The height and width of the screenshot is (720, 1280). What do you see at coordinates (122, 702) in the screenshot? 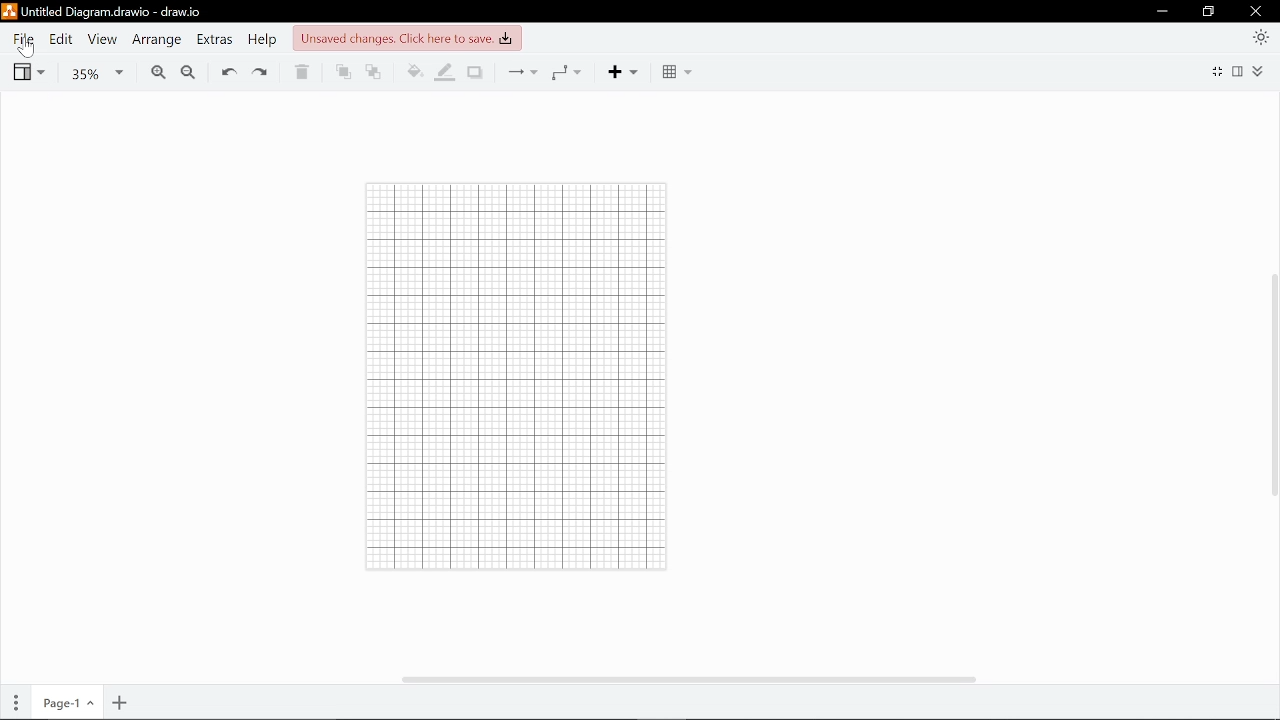
I see `Add page` at bounding box center [122, 702].